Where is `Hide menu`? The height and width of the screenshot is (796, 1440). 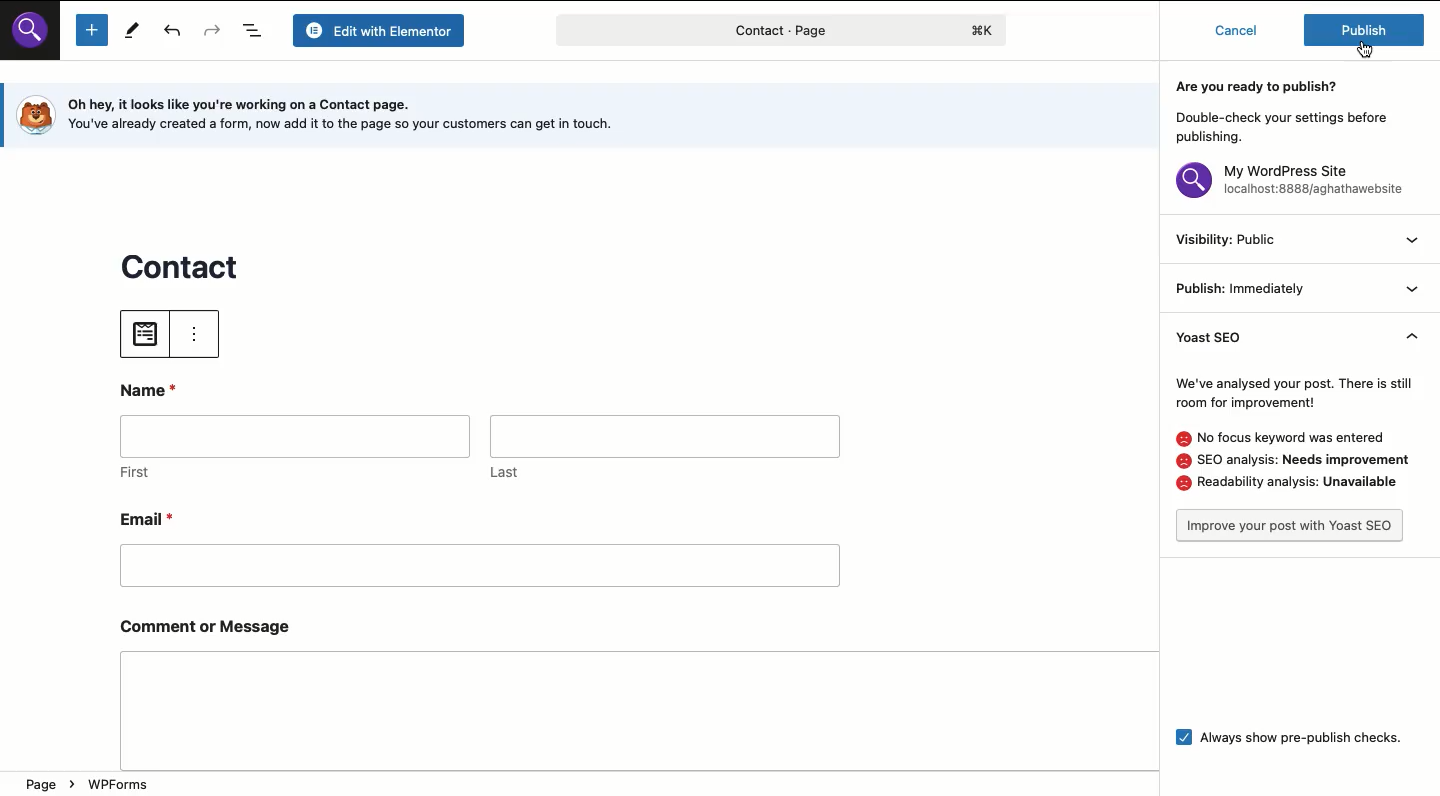
Hide menu is located at coordinates (1407, 333).